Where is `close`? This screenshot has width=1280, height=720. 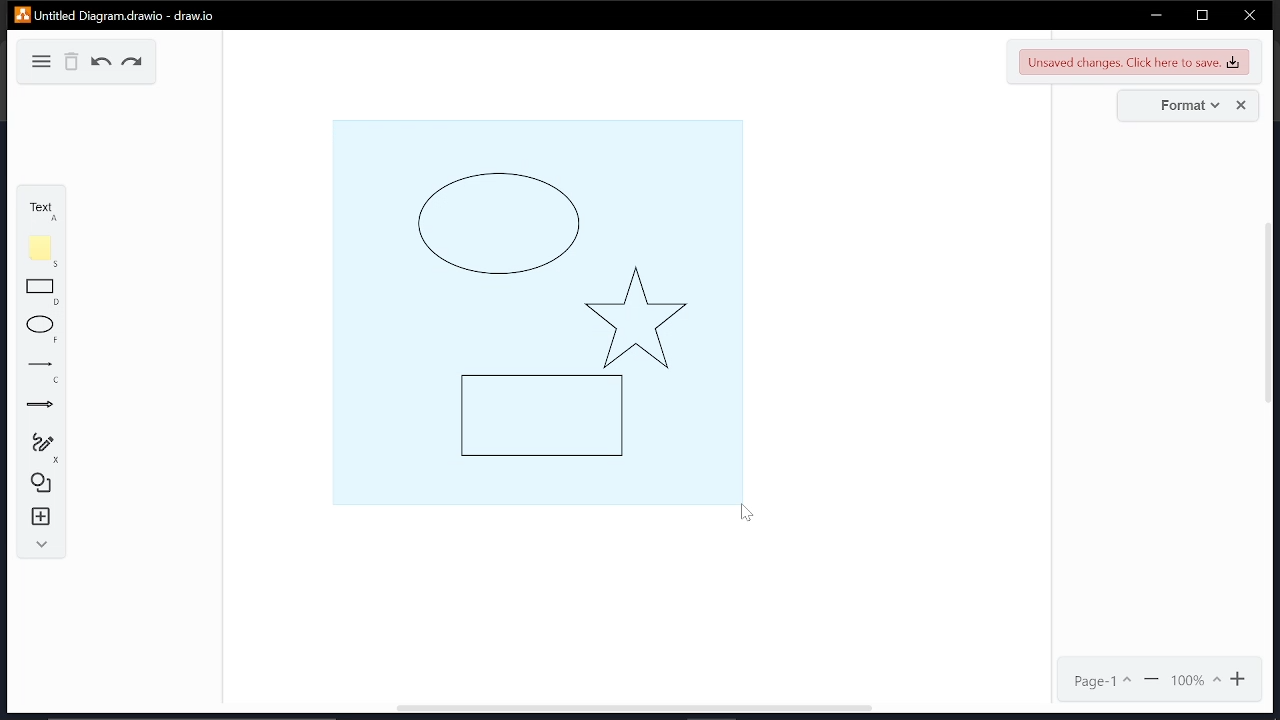
close is located at coordinates (1249, 17).